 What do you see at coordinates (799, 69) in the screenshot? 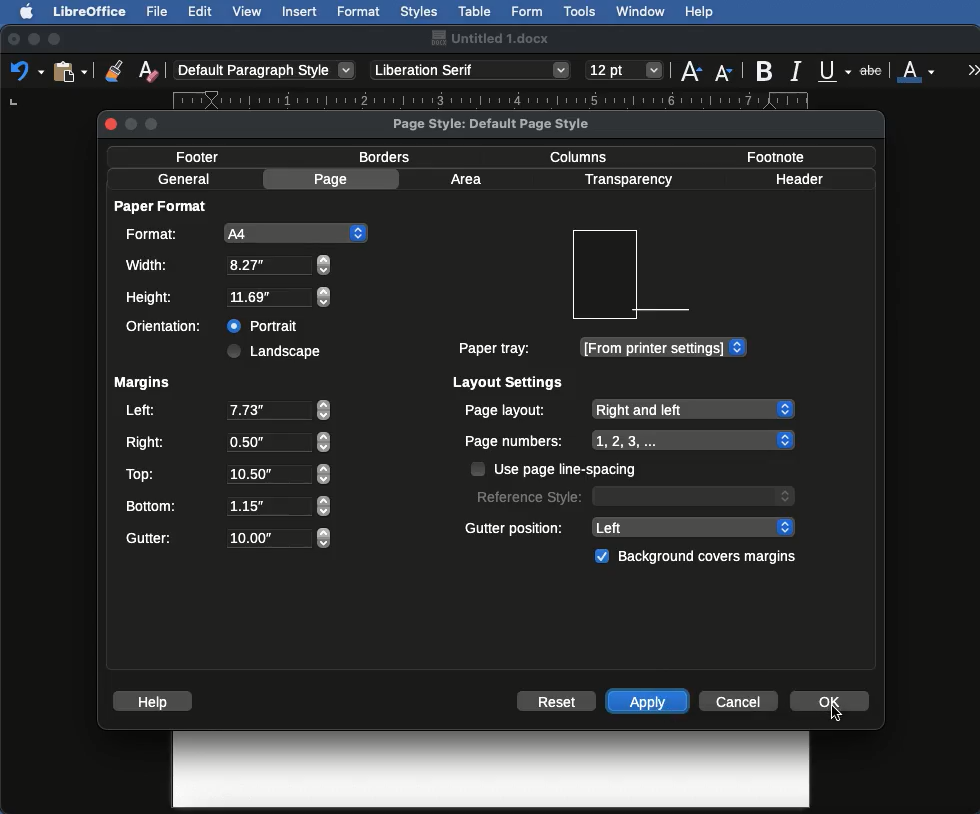
I see `Italics` at bounding box center [799, 69].